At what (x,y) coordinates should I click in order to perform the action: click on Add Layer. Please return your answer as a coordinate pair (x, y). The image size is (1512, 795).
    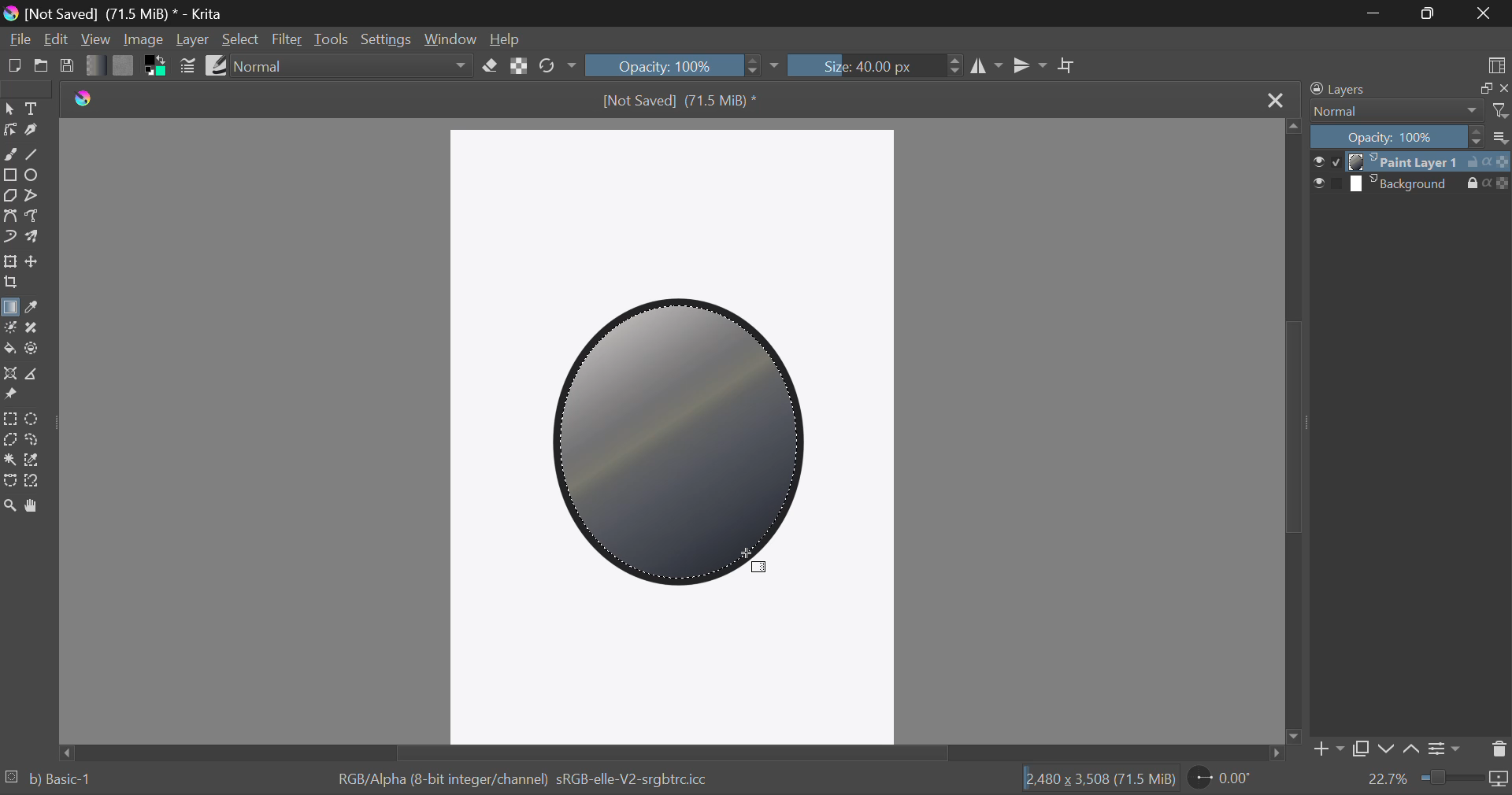
    Looking at the image, I should click on (1328, 750).